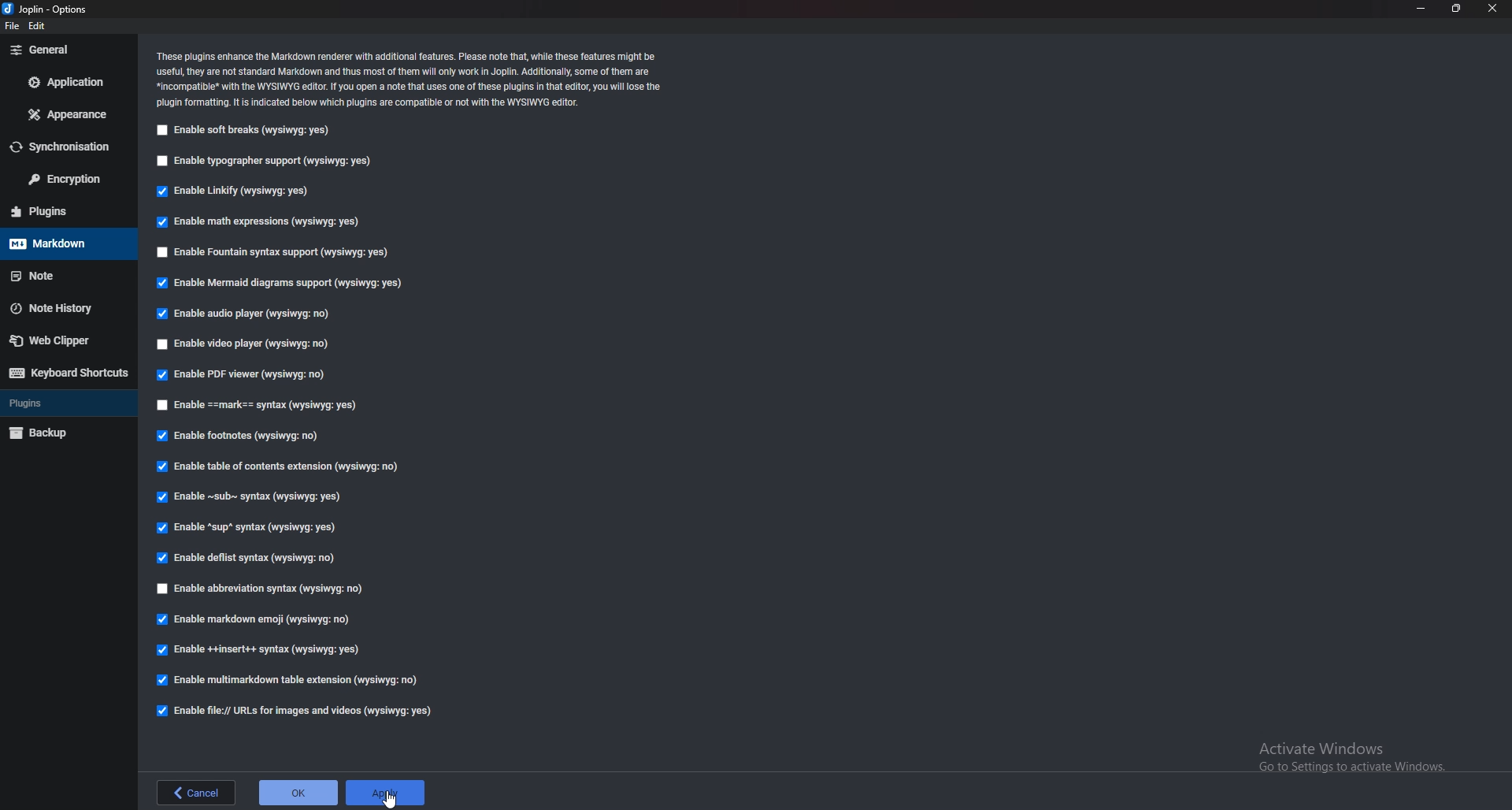 The image size is (1512, 810). Describe the element at coordinates (57, 434) in the screenshot. I see `Backup` at that location.